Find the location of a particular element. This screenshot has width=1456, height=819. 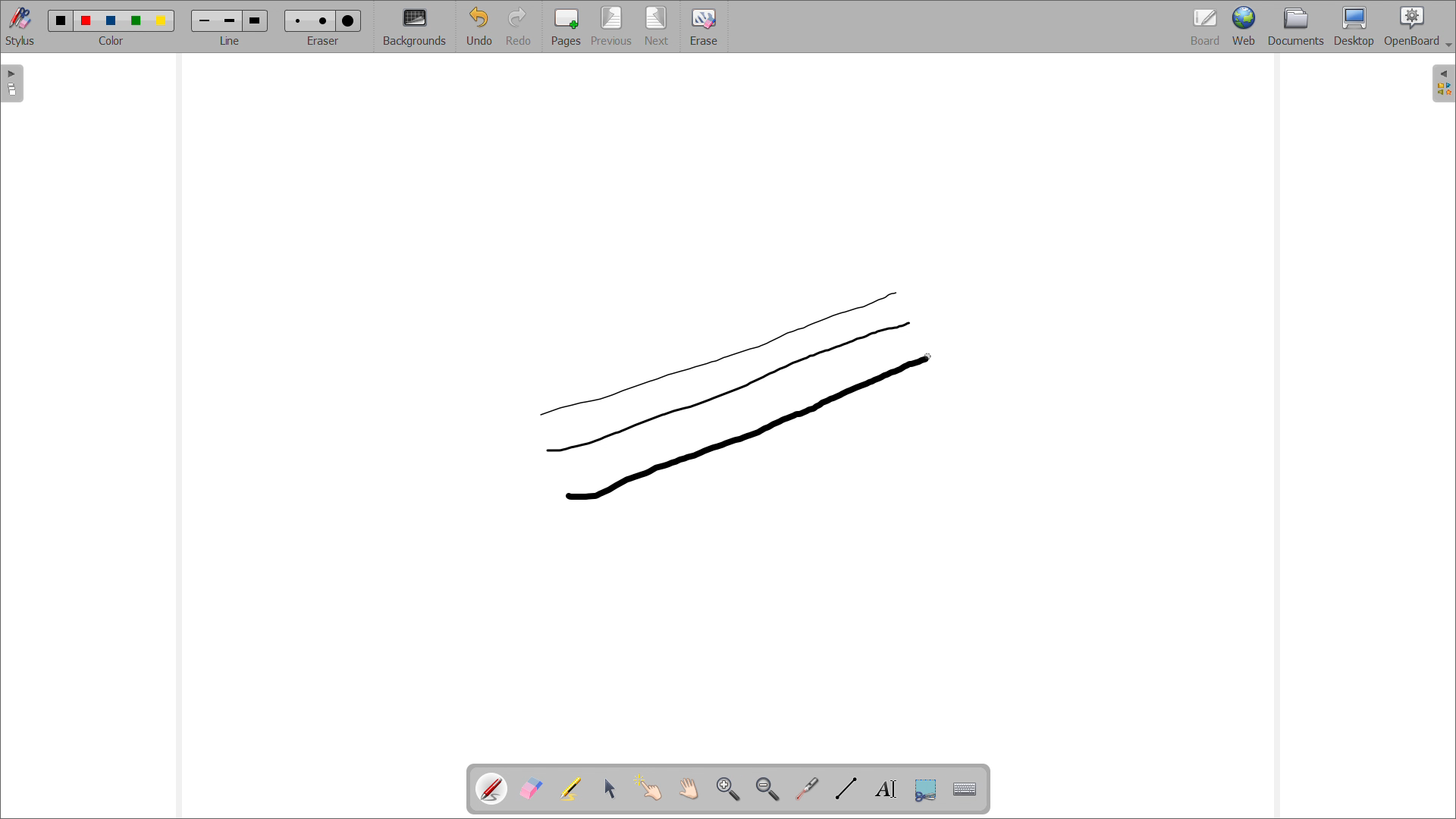

Eraser size is located at coordinates (323, 20).